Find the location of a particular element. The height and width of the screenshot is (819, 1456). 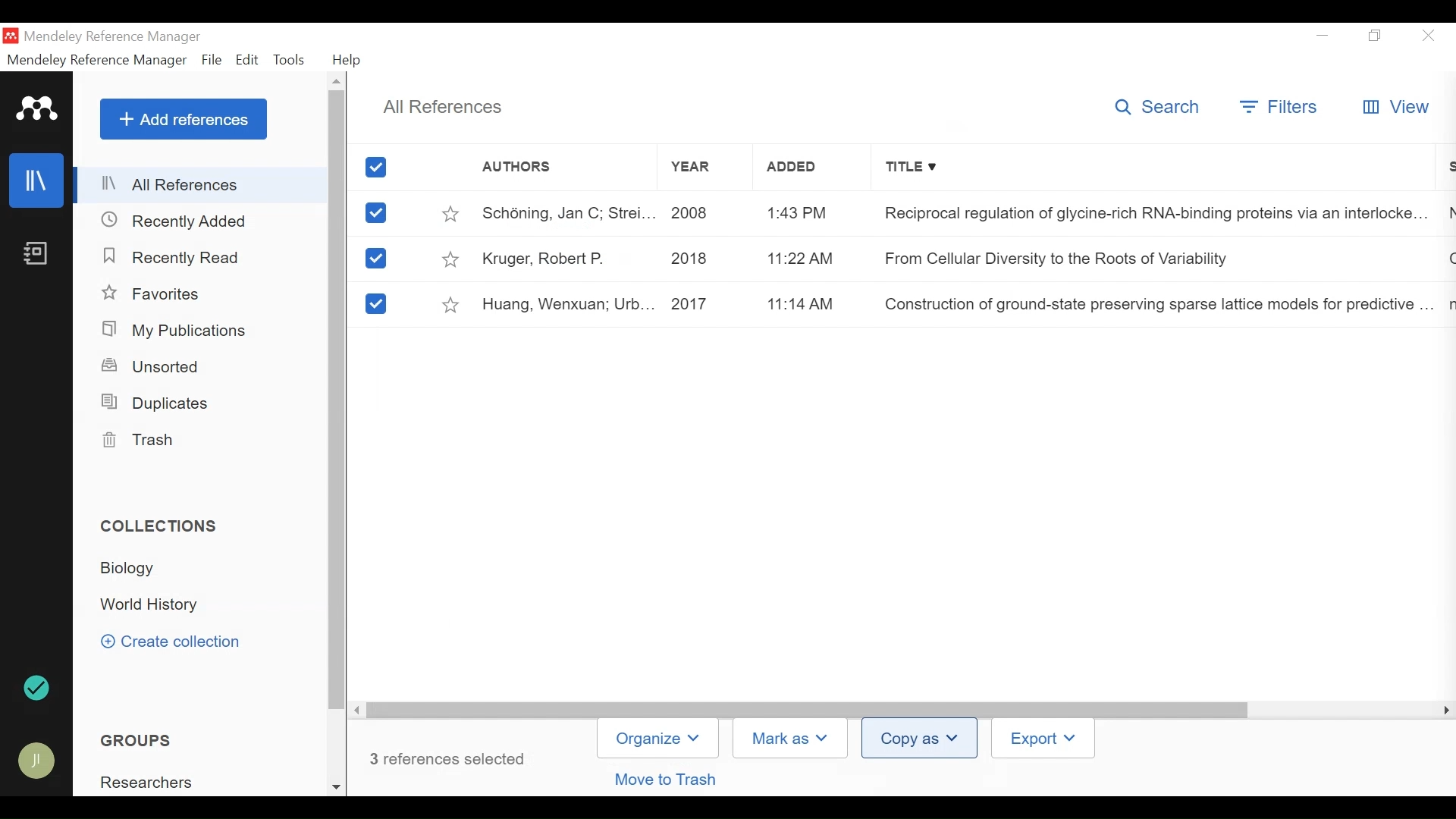

All References is located at coordinates (442, 105).